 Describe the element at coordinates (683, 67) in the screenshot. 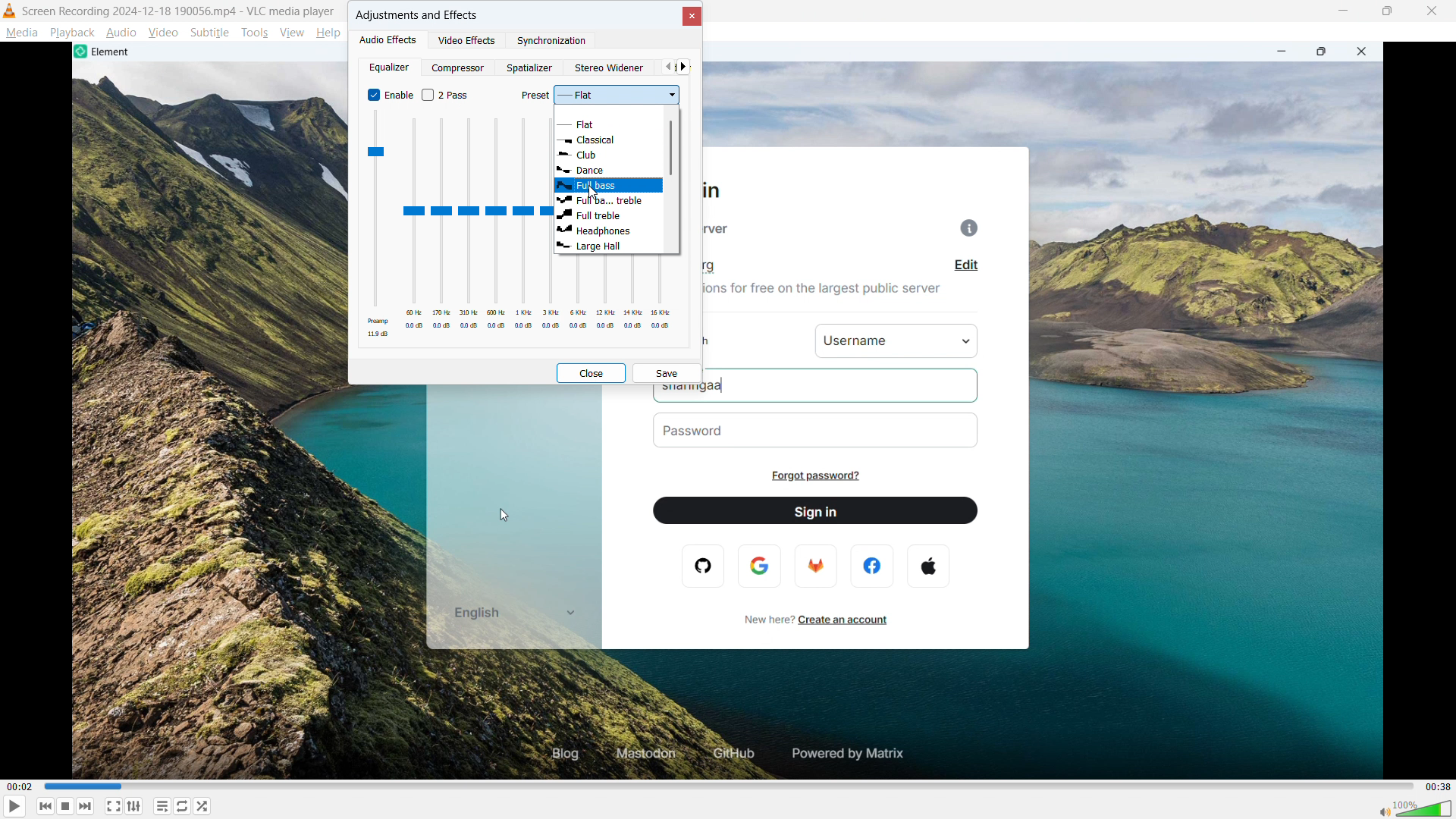

I see `next tab ` at that location.